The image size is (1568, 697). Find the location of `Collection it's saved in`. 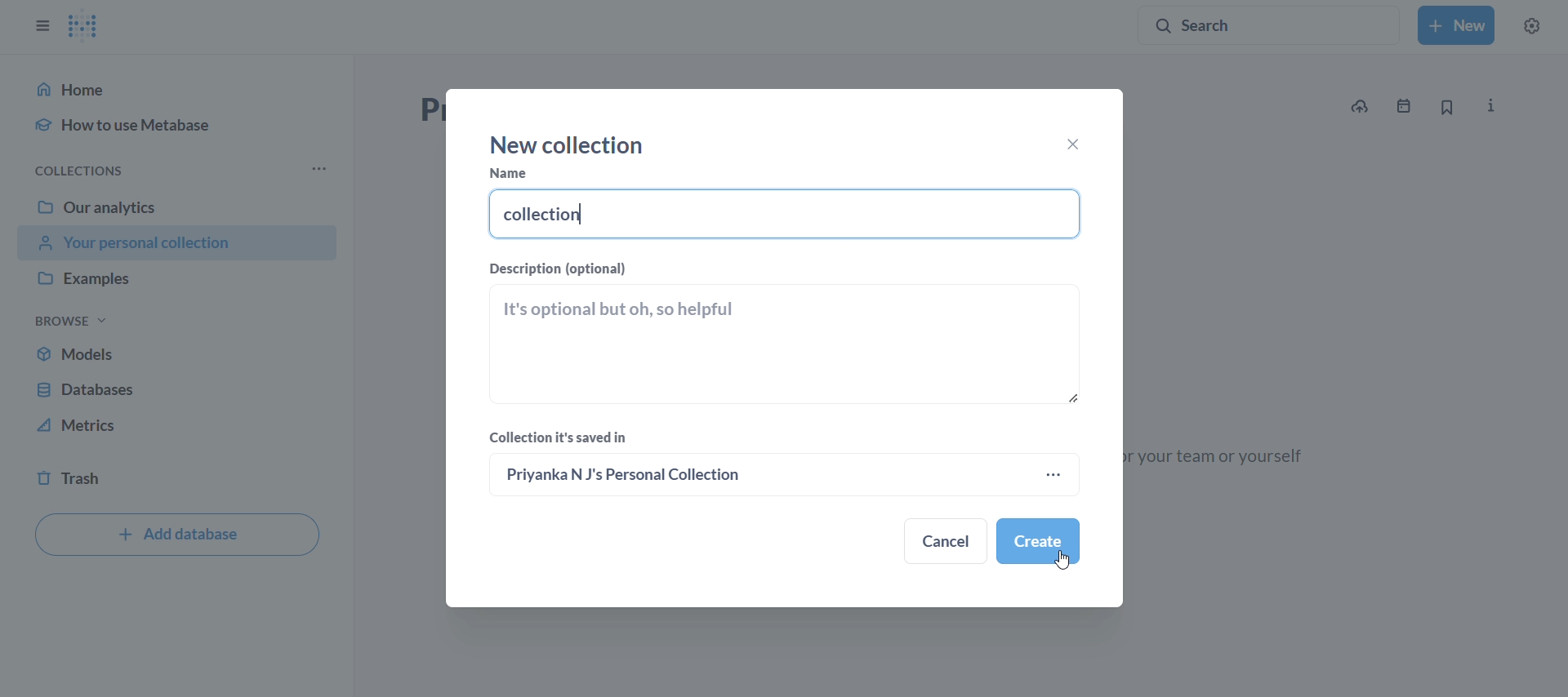

Collection it's saved in is located at coordinates (562, 440).